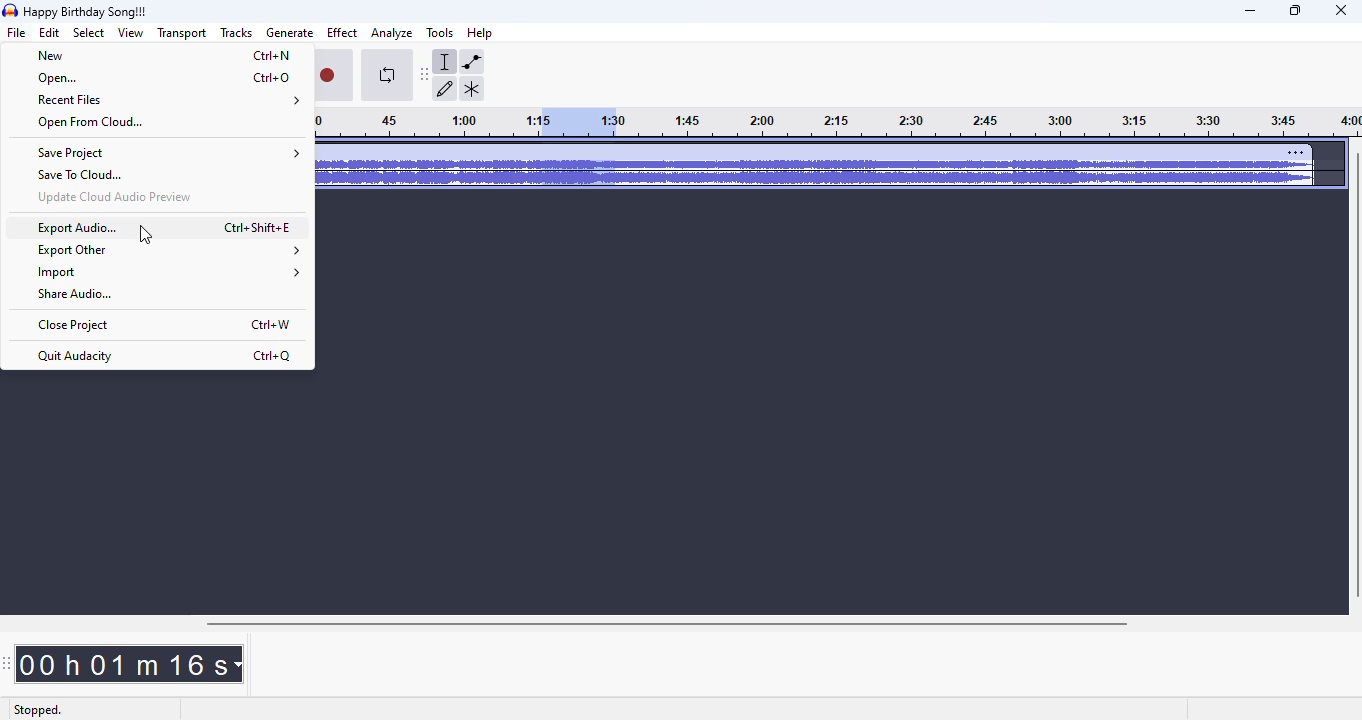  What do you see at coordinates (169, 100) in the screenshot?
I see `recent files` at bounding box center [169, 100].